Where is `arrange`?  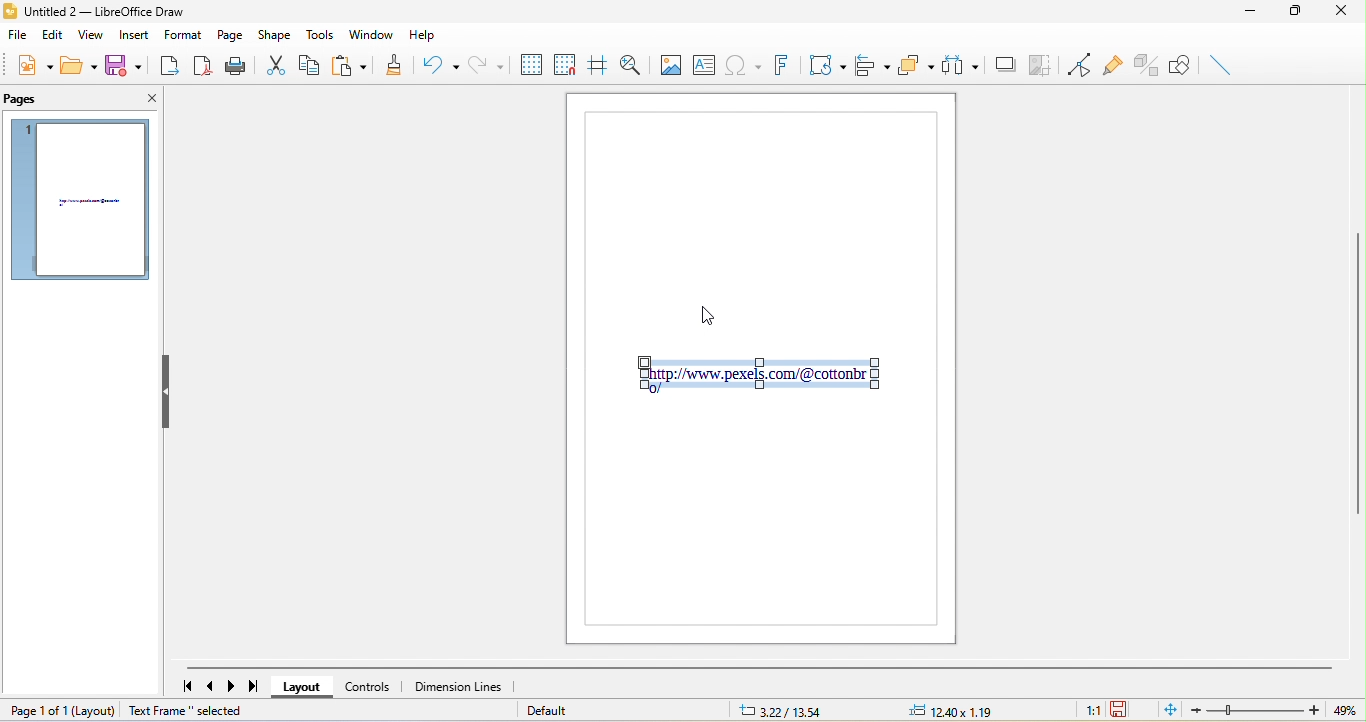
arrange is located at coordinates (917, 65).